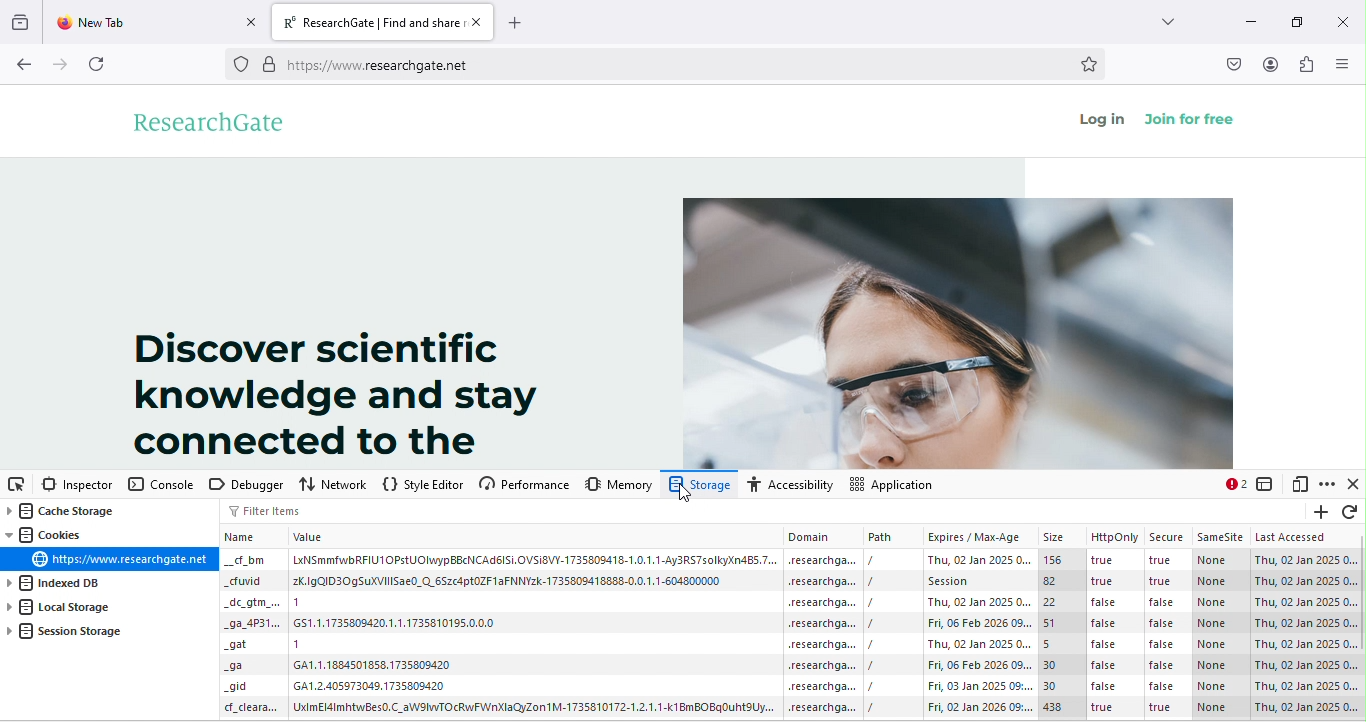 The height and width of the screenshot is (722, 1366). I want to click on secure, so click(1167, 536).